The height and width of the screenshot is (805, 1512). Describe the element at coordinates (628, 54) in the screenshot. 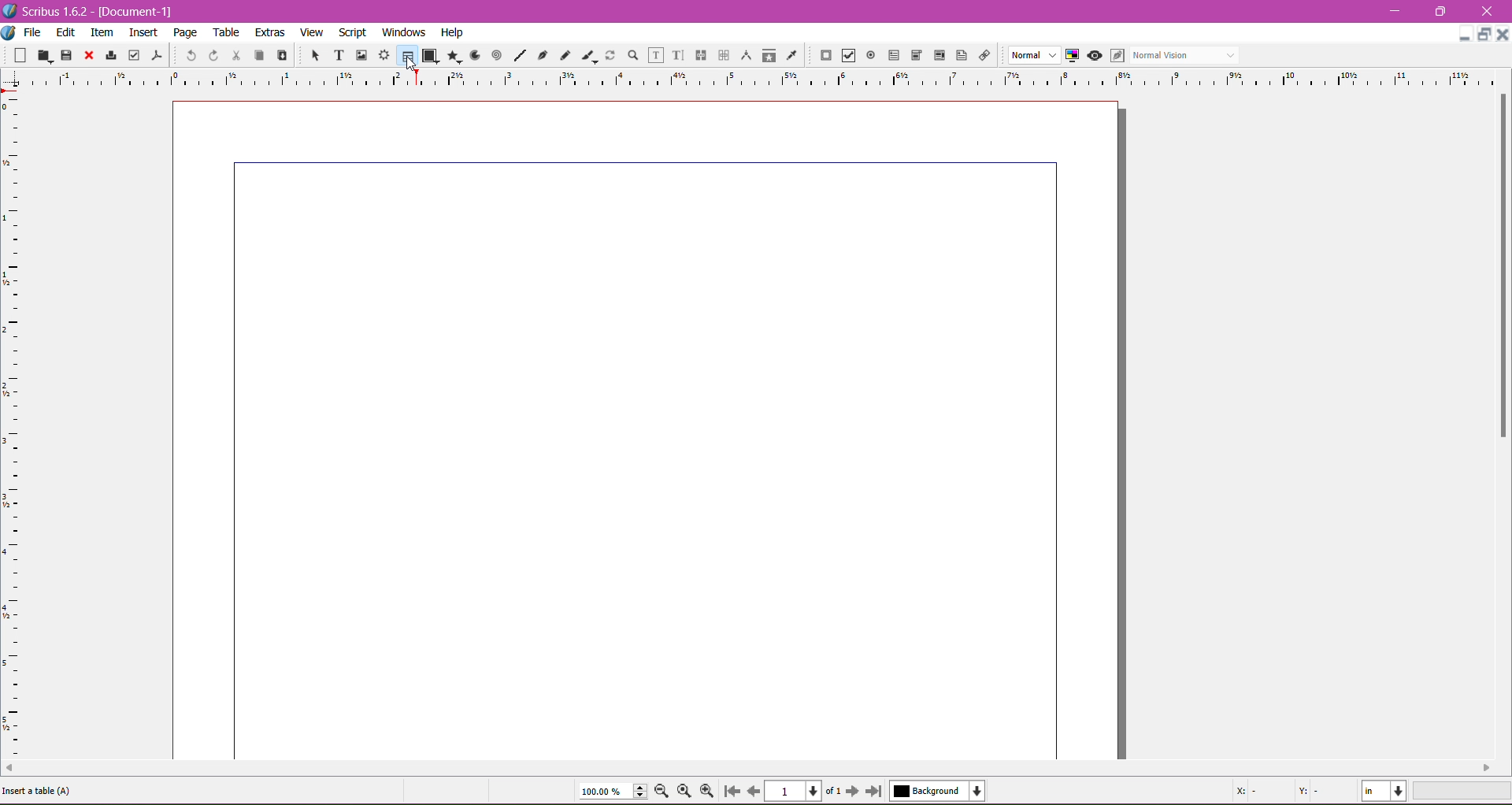

I see `Zoom in or out` at that location.